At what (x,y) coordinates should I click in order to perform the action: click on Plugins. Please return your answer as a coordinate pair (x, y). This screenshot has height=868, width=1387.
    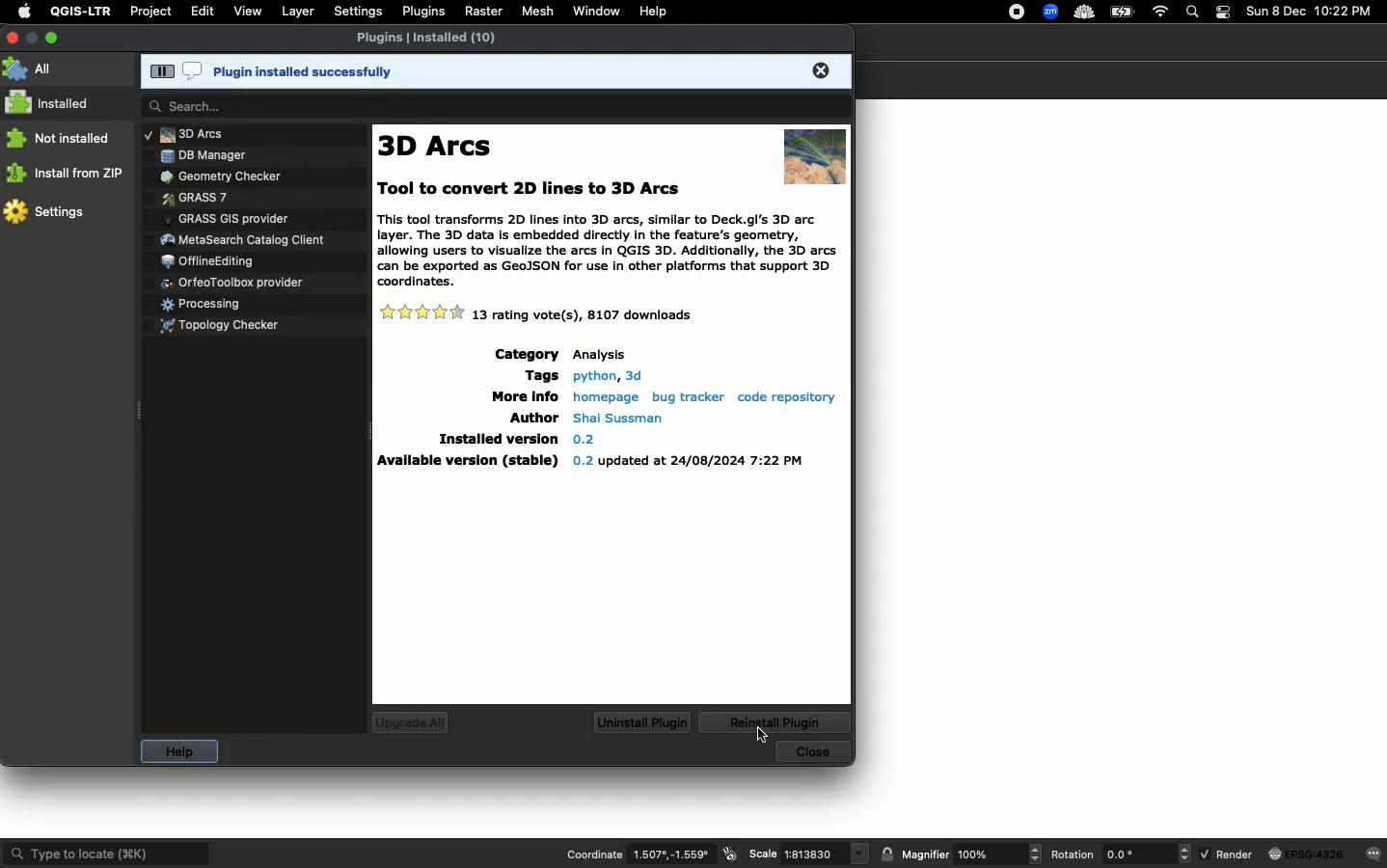
    Looking at the image, I should click on (214, 175).